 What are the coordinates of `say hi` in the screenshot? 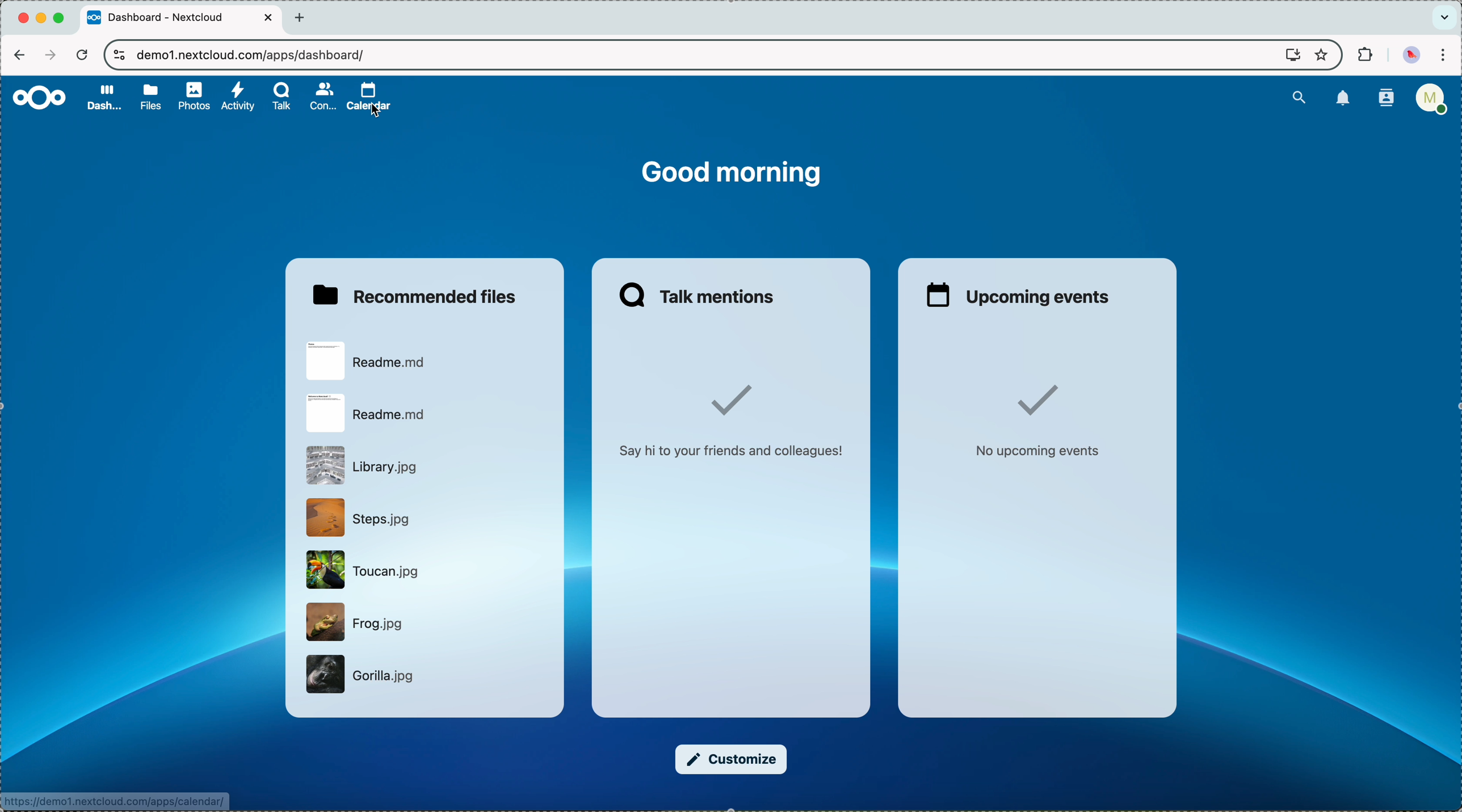 It's located at (728, 424).